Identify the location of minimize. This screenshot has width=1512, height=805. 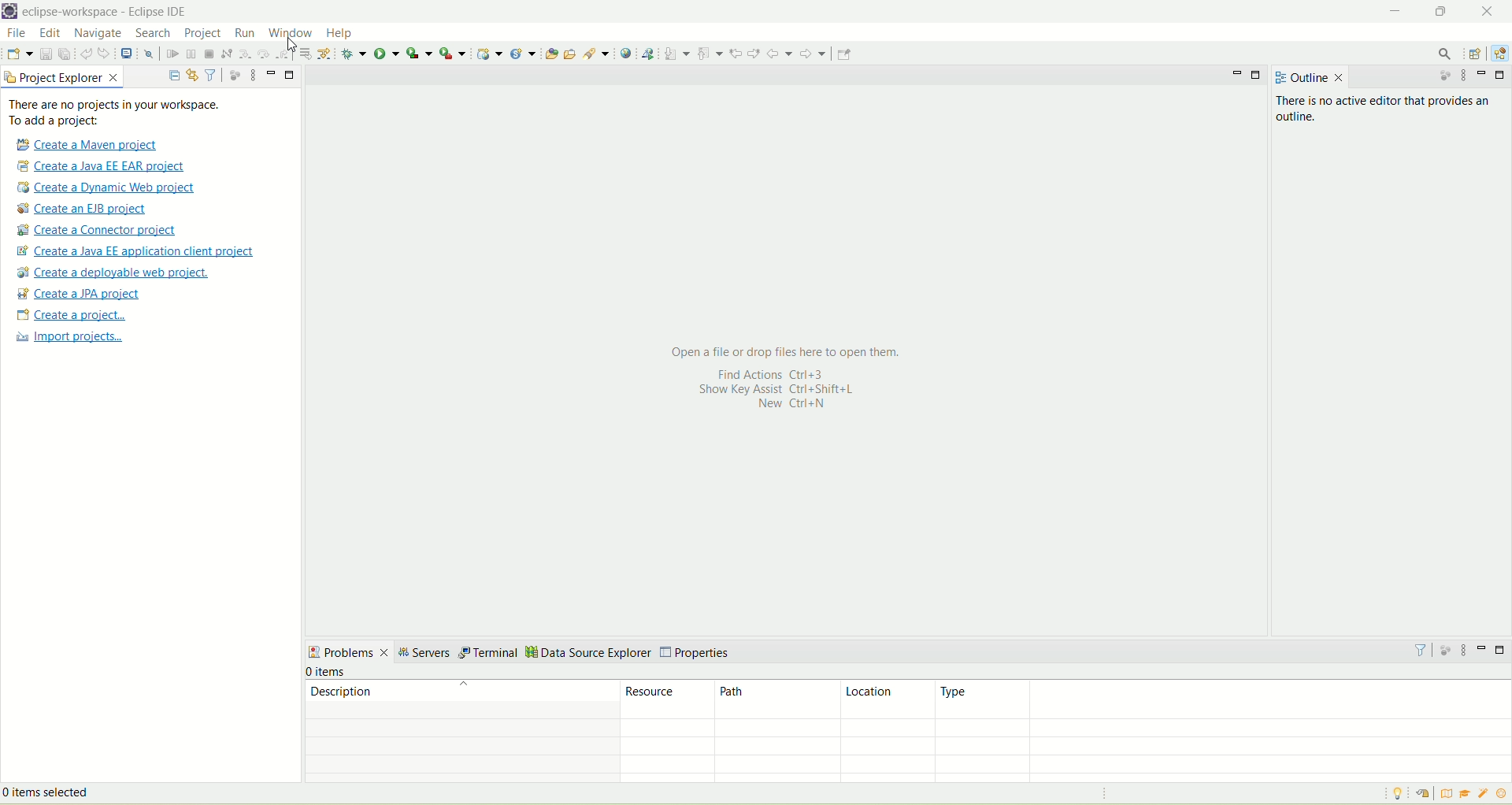
(272, 72).